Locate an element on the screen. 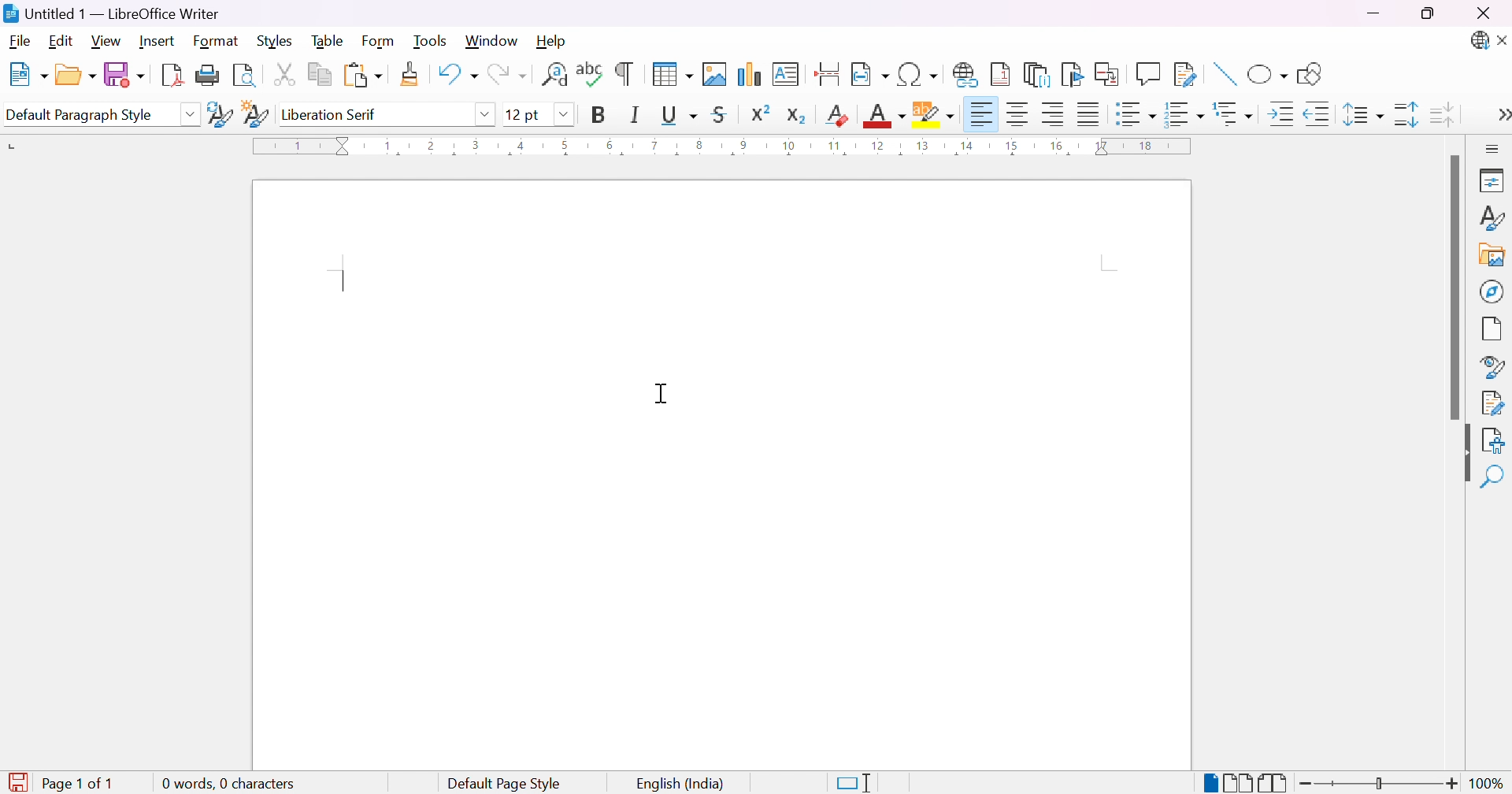  Align center is located at coordinates (1020, 114).